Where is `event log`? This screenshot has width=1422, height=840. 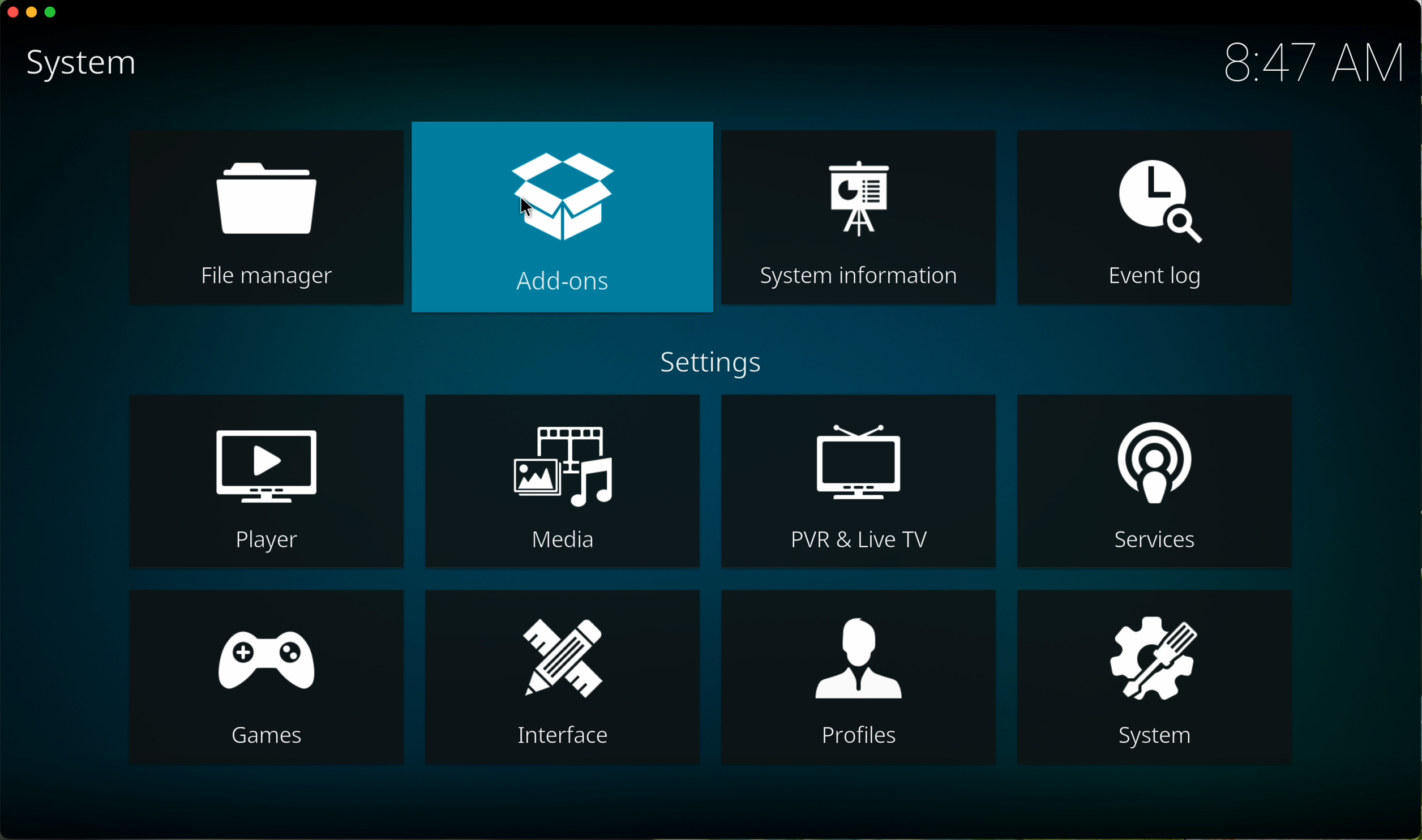
event log is located at coordinates (1156, 218).